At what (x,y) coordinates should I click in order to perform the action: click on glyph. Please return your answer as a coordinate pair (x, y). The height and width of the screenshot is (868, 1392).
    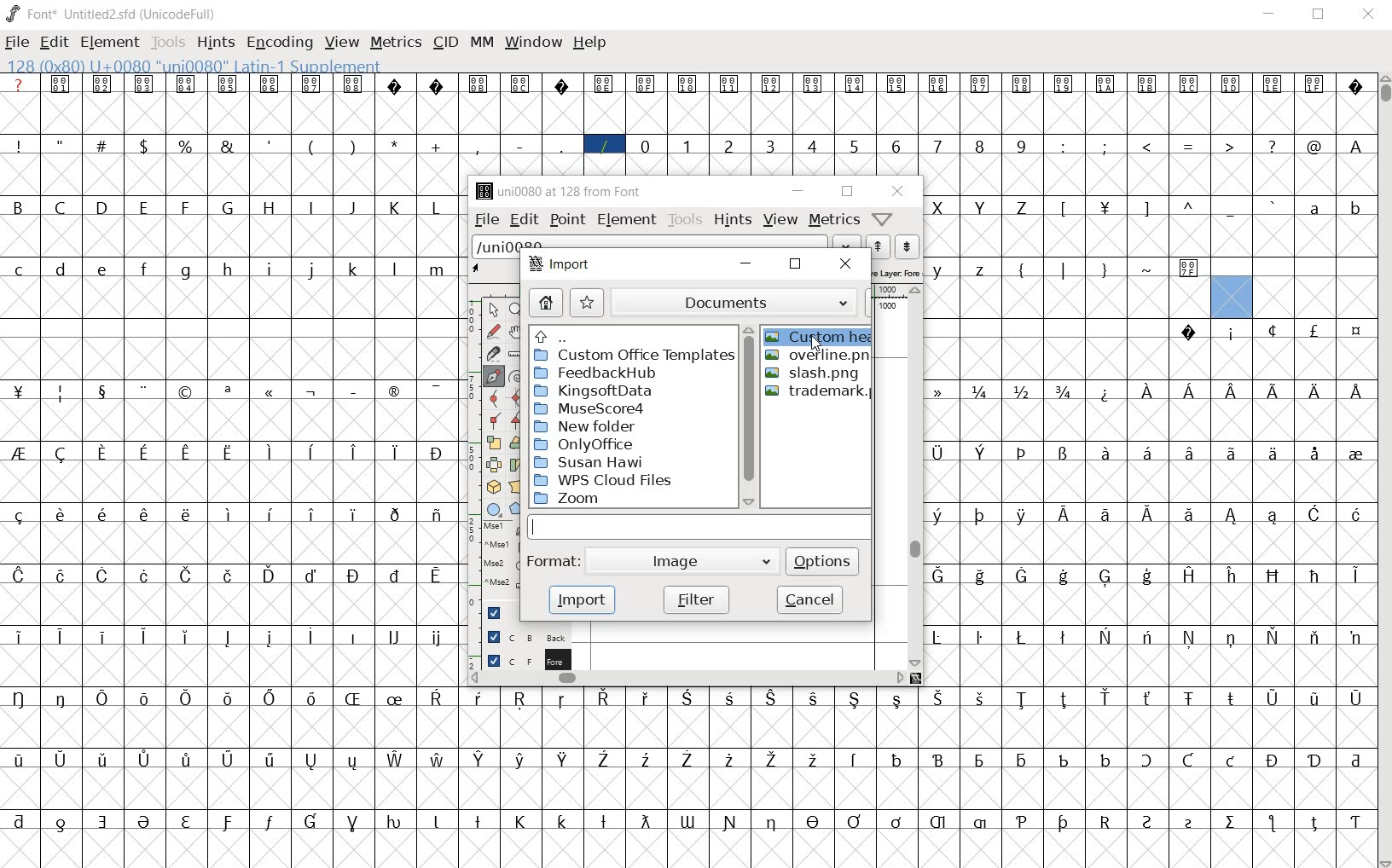
    Looking at the image, I should click on (60, 207).